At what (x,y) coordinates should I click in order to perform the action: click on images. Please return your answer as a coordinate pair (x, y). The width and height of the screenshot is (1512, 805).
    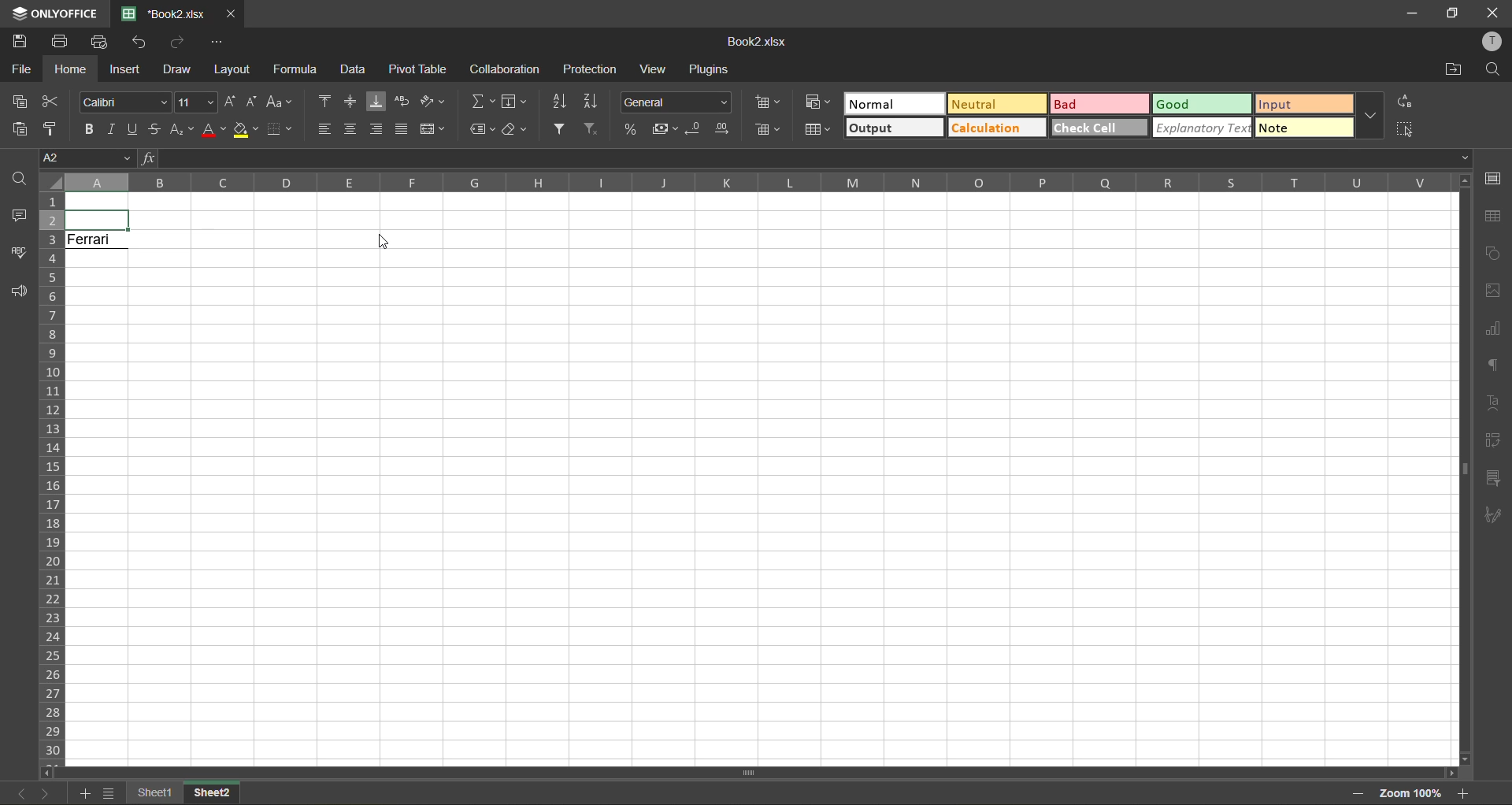
    Looking at the image, I should click on (1486, 291).